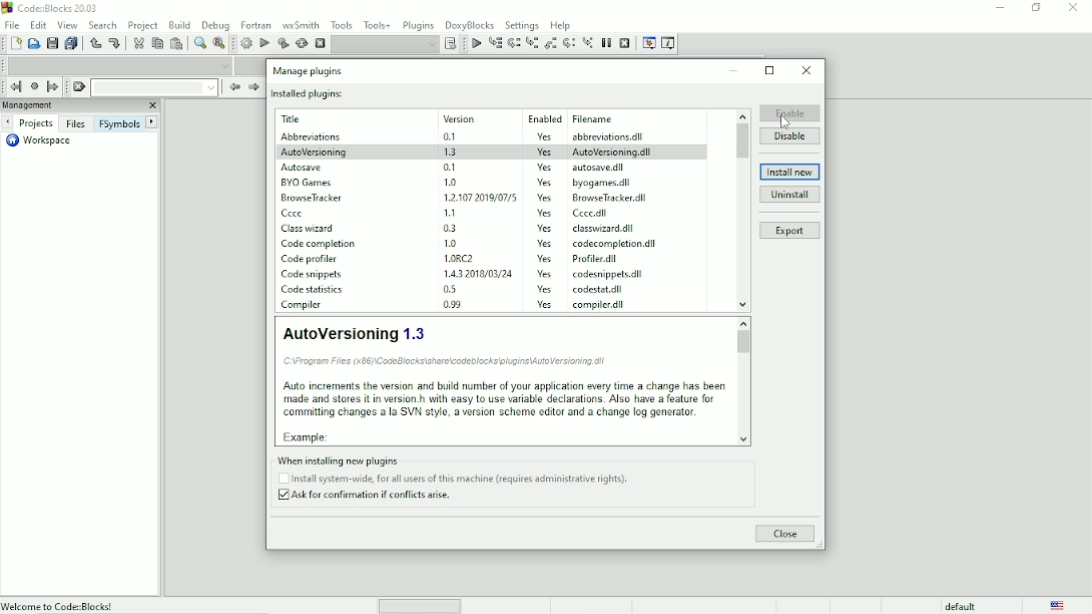 The image size is (1092, 614). Describe the element at coordinates (560, 25) in the screenshot. I see `Help` at that location.